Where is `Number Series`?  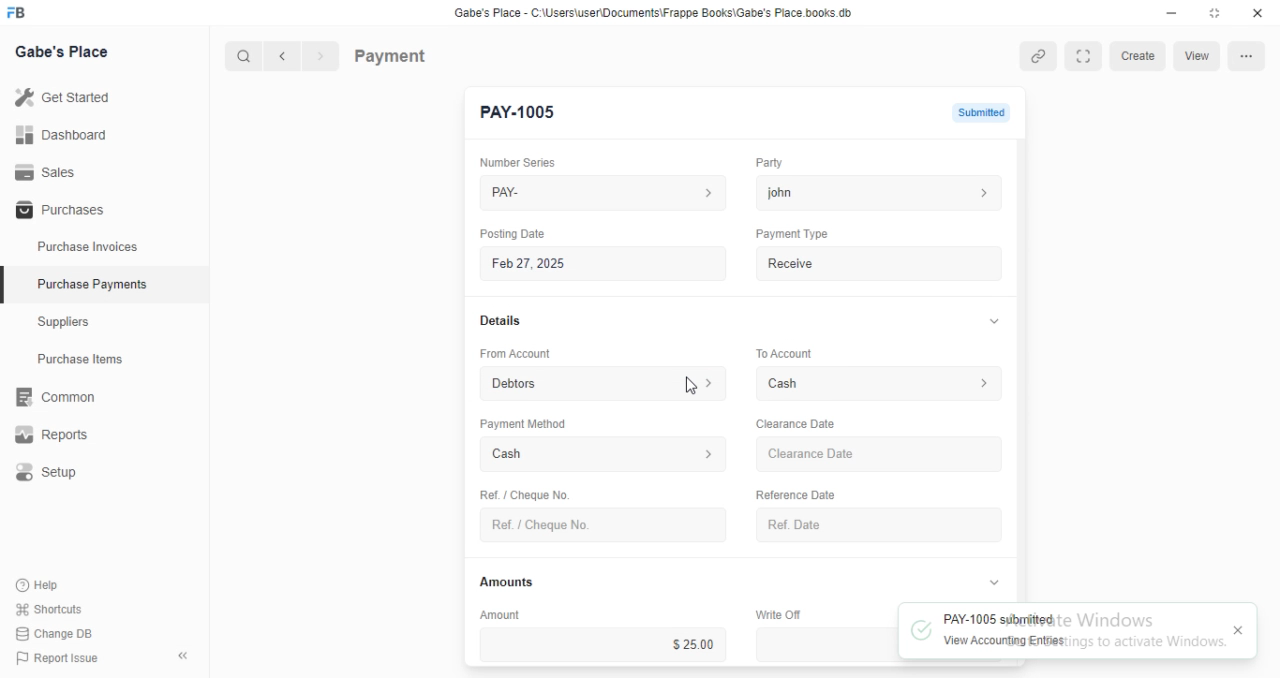 Number Series is located at coordinates (510, 162).